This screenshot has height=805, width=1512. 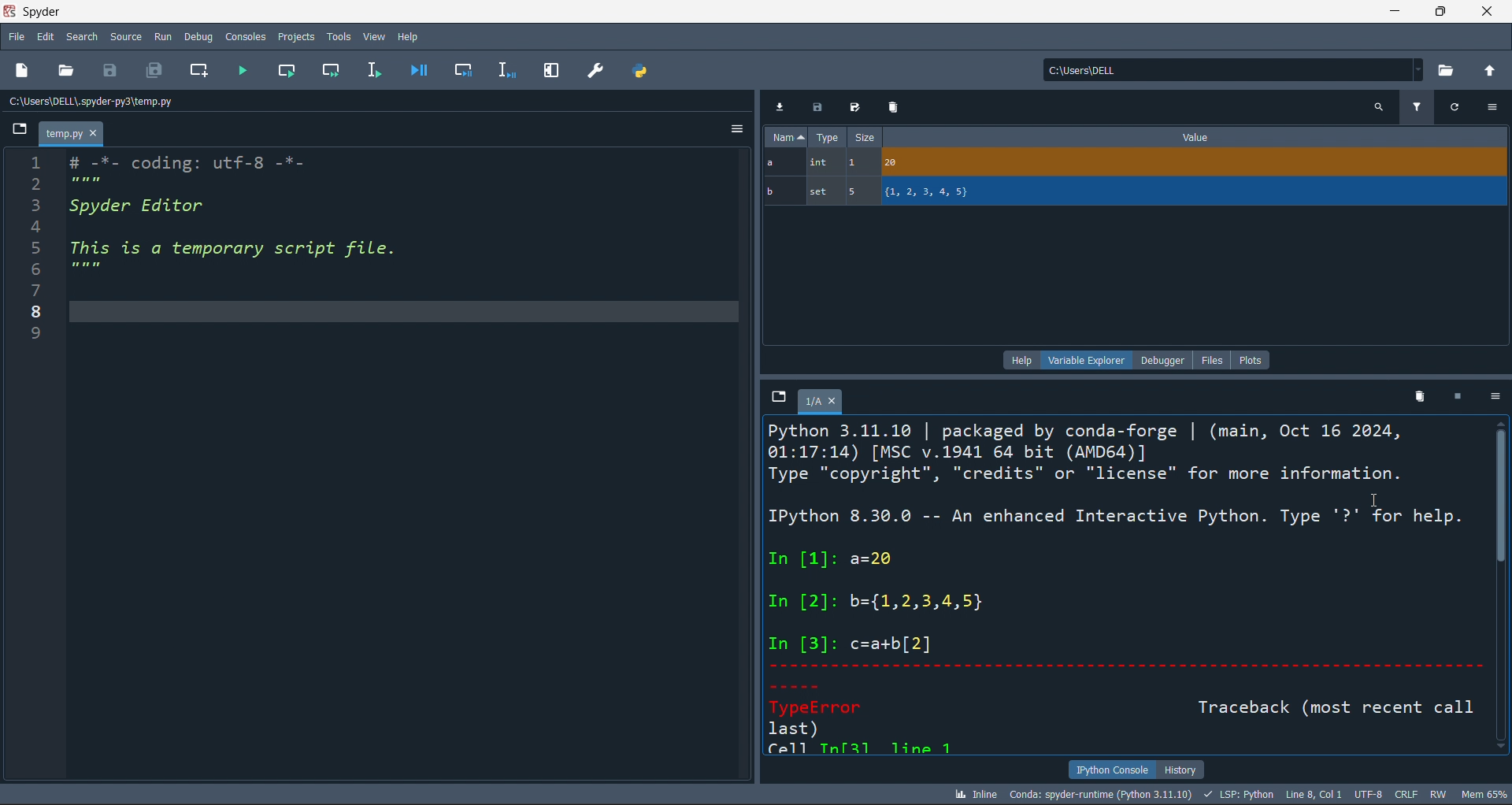 What do you see at coordinates (161, 36) in the screenshot?
I see `run` at bounding box center [161, 36].